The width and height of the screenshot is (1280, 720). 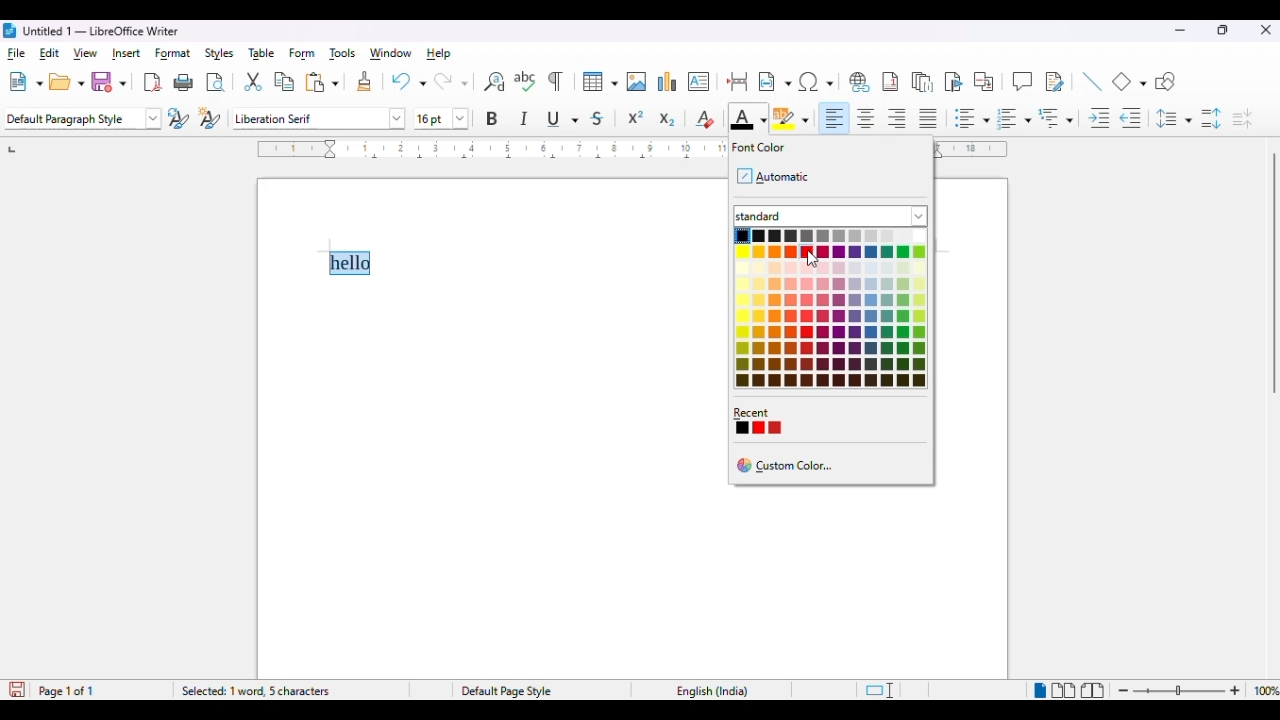 What do you see at coordinates (1211, 119) in the screenshot?
I see `increase paragraph spacing` at bounding box center [1211, 119].